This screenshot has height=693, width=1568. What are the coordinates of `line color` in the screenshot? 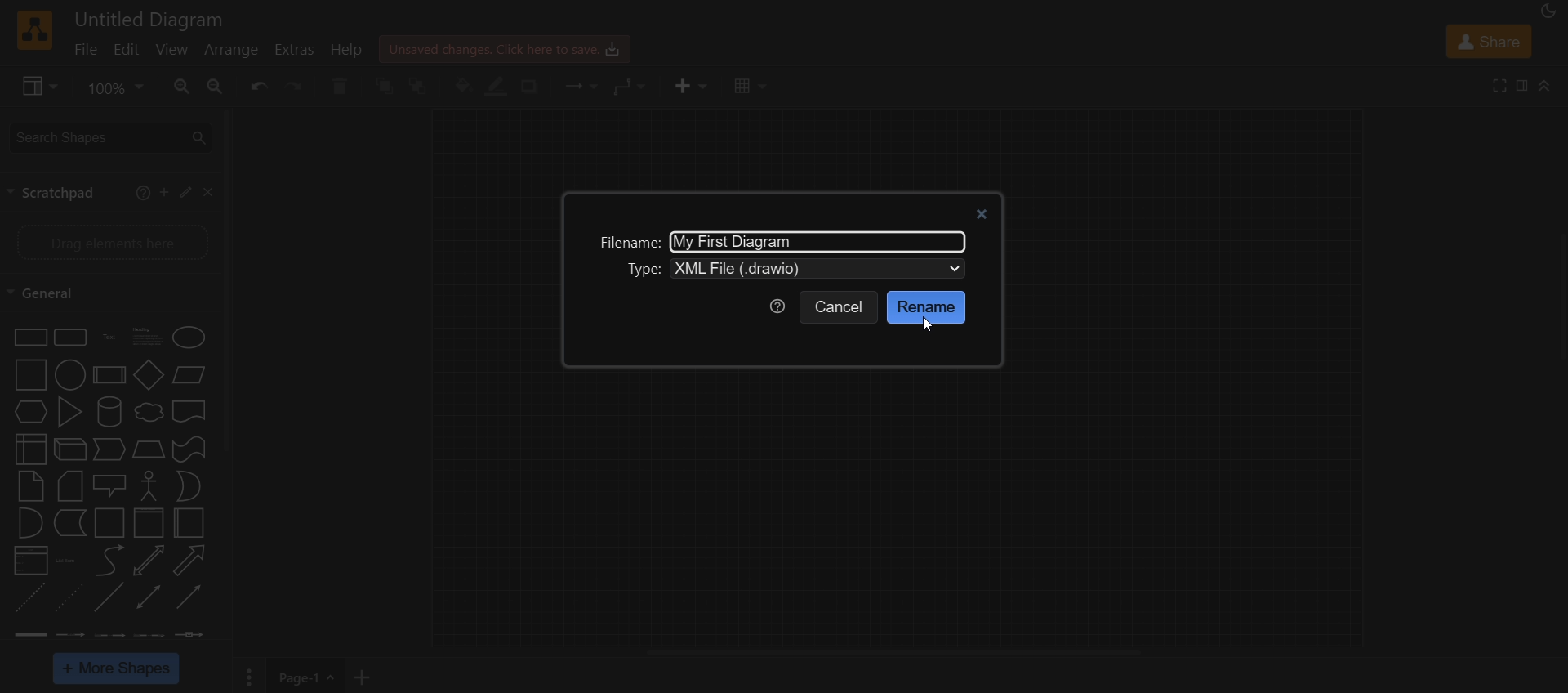 It's located at (497, 86).